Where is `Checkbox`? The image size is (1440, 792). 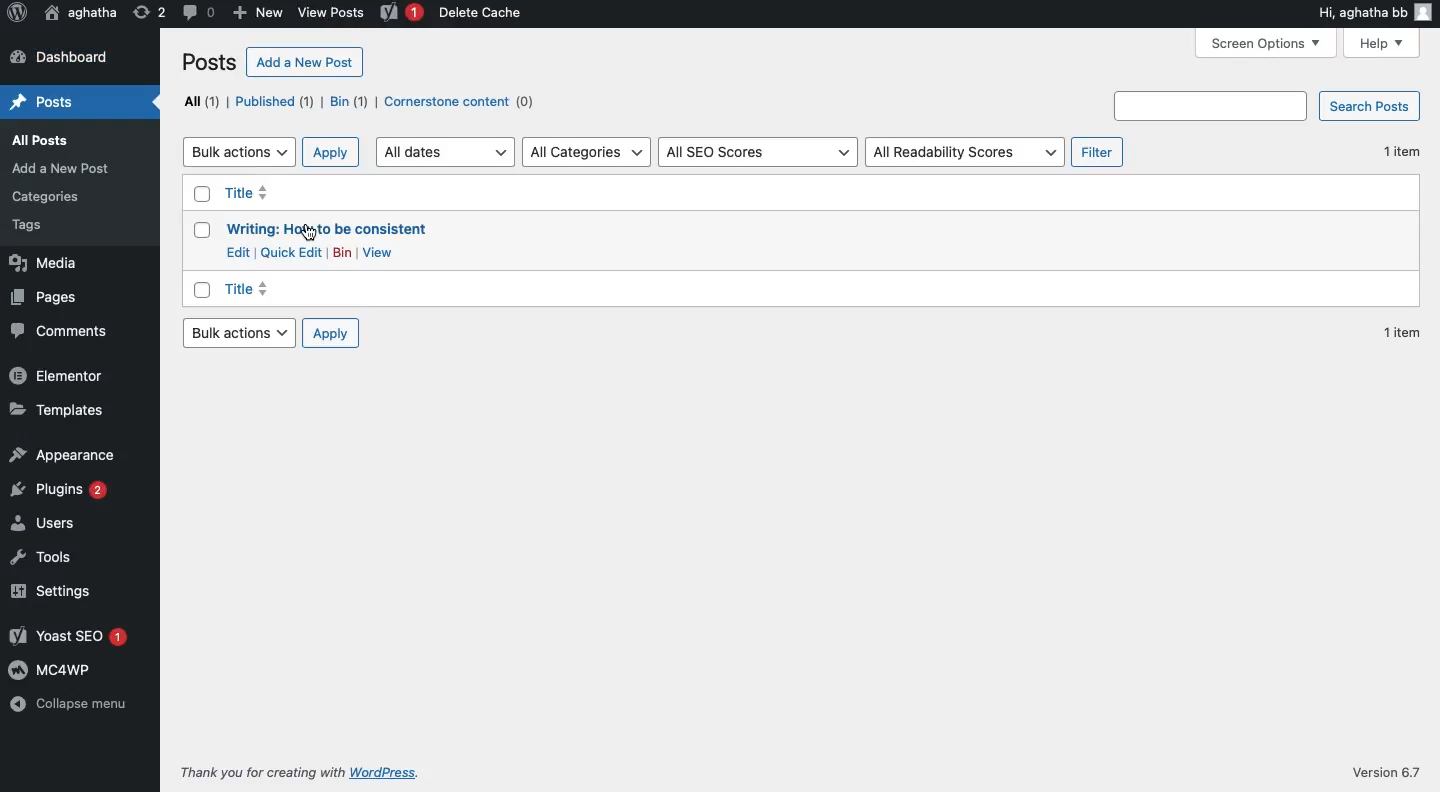 Checkbox is located at coordinates (199, 294).